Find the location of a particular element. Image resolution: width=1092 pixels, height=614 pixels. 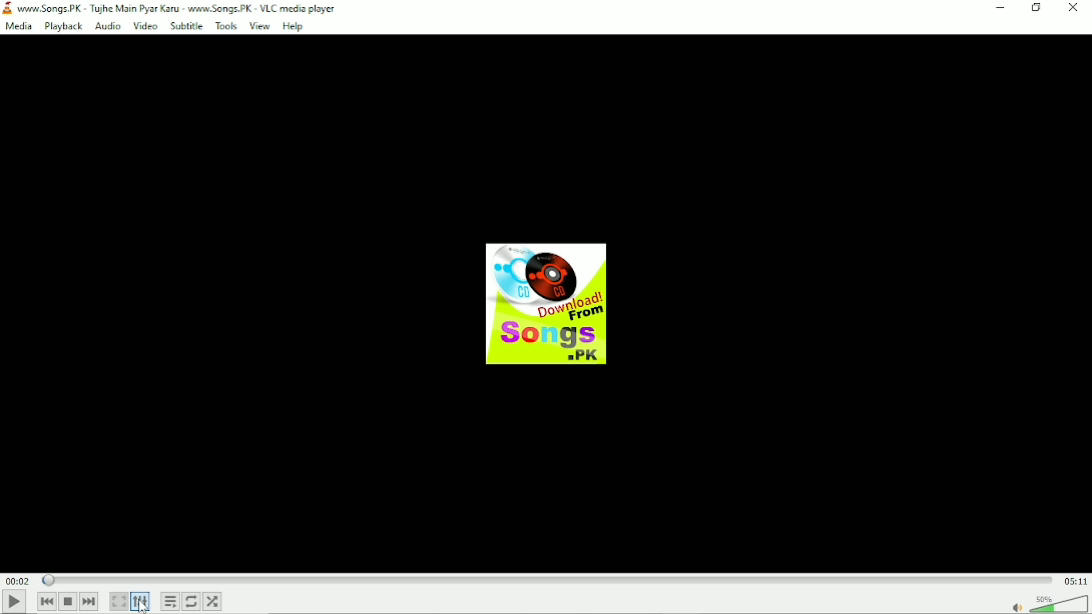

Play duration is located at coordinates (547, 580).